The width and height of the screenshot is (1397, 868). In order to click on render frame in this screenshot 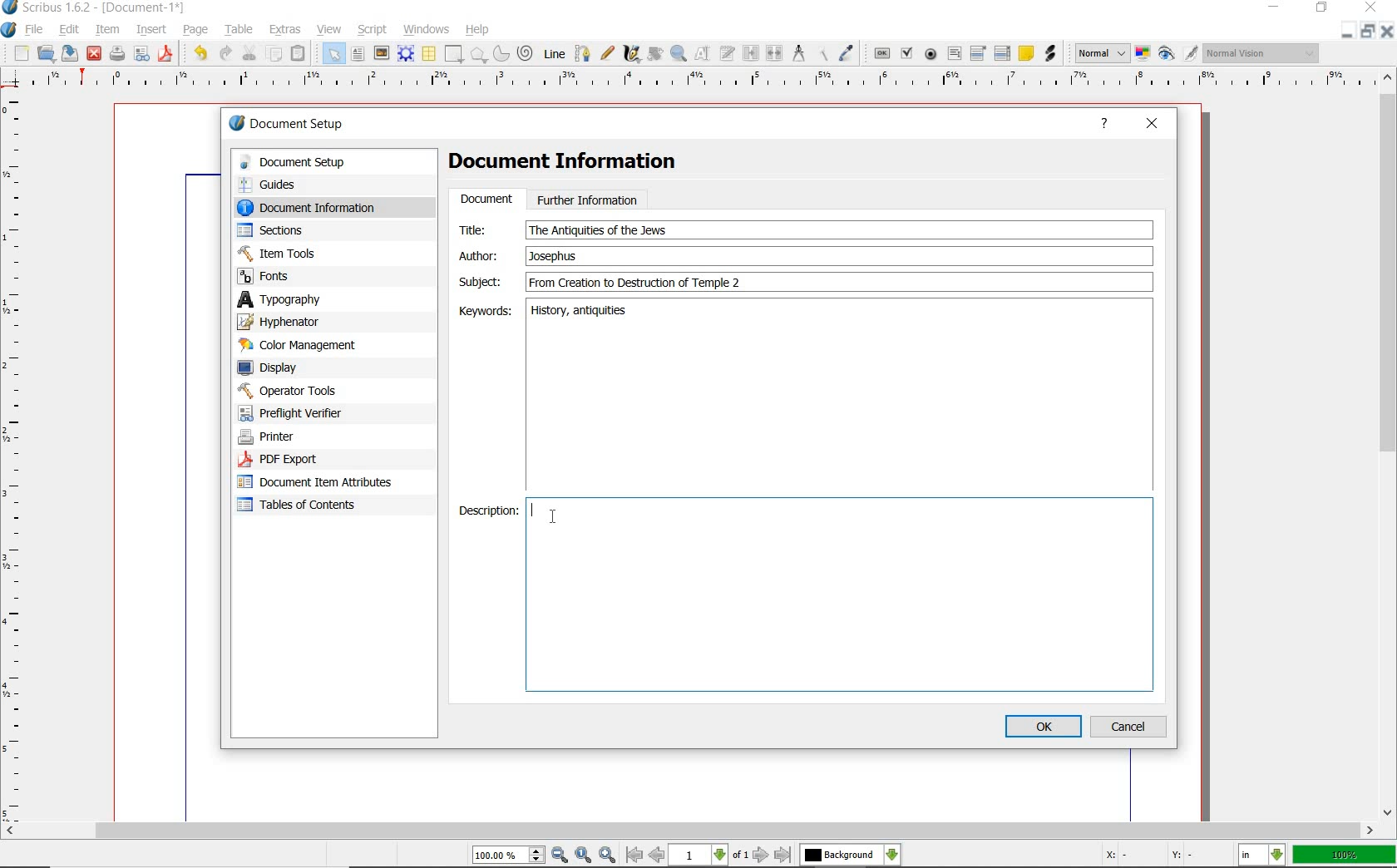, I will do `click(406, 54)`.